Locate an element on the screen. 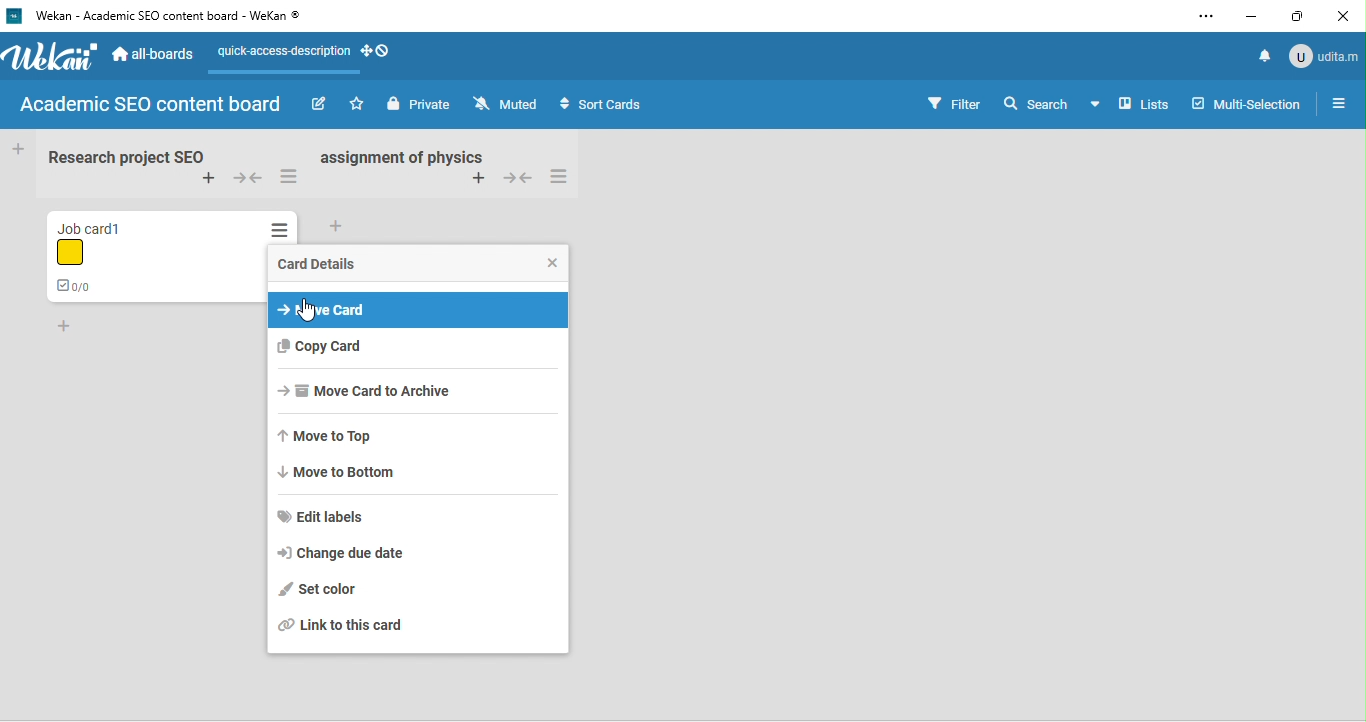 The height and width of the screenshot is (722, 1366). set color is located at coordinates (353, 588).